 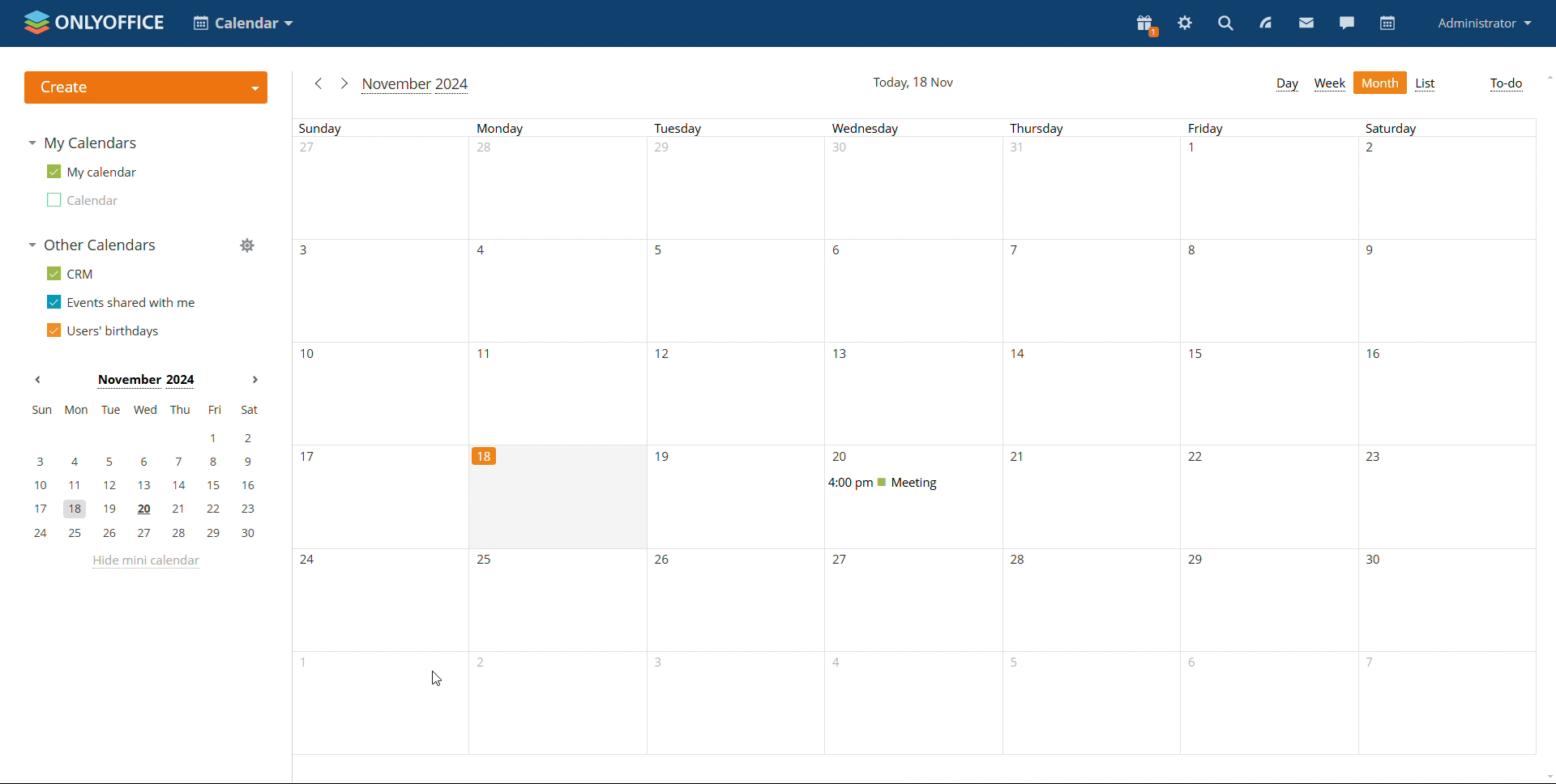 I want to click on search, so click(x=1226, y=23).